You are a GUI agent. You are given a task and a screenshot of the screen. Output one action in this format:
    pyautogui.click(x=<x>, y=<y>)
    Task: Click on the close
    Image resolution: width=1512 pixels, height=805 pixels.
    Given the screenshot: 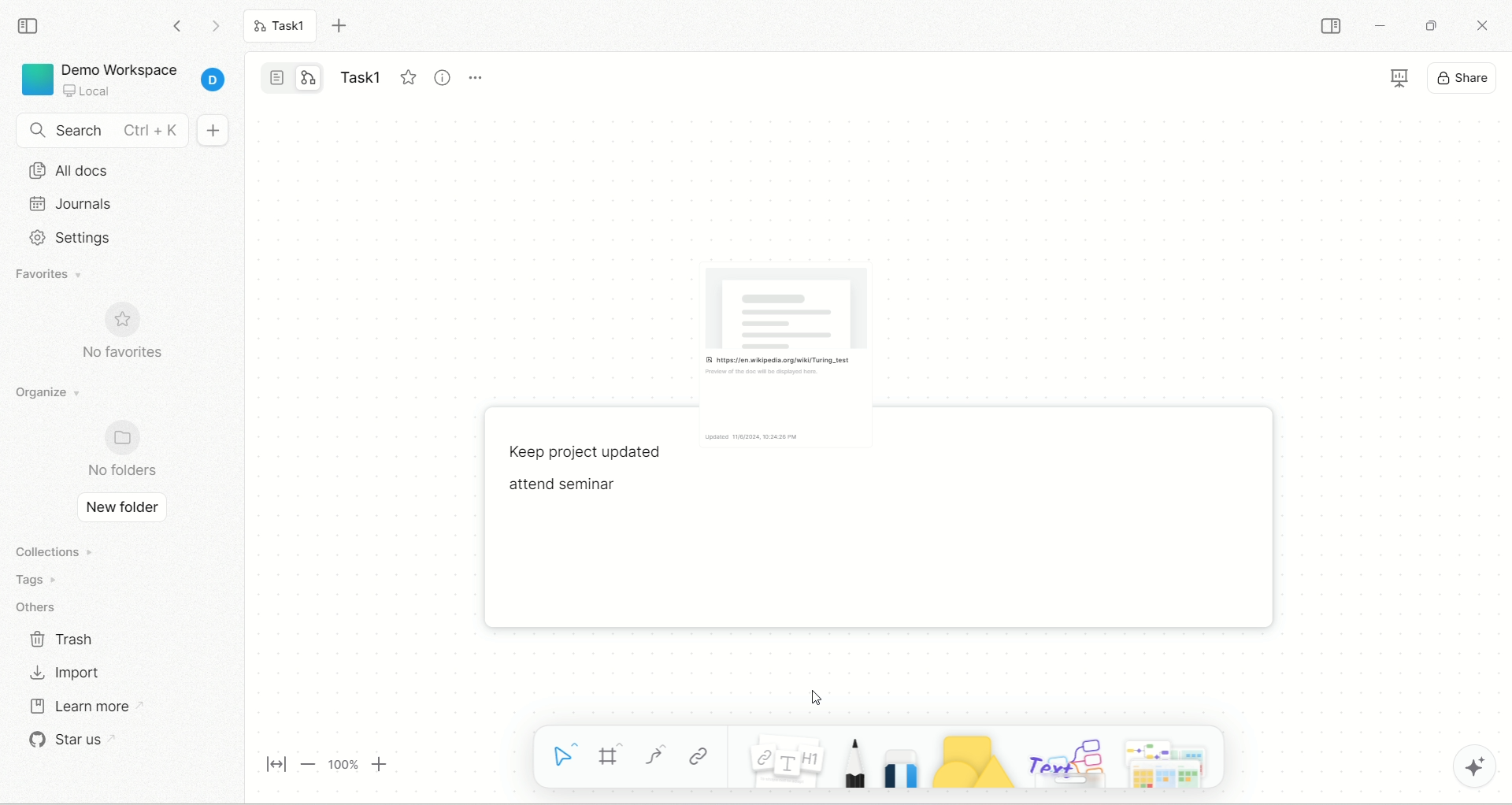 What is the action you would take?
    pyautogui.click(x=1480, y=24)
    